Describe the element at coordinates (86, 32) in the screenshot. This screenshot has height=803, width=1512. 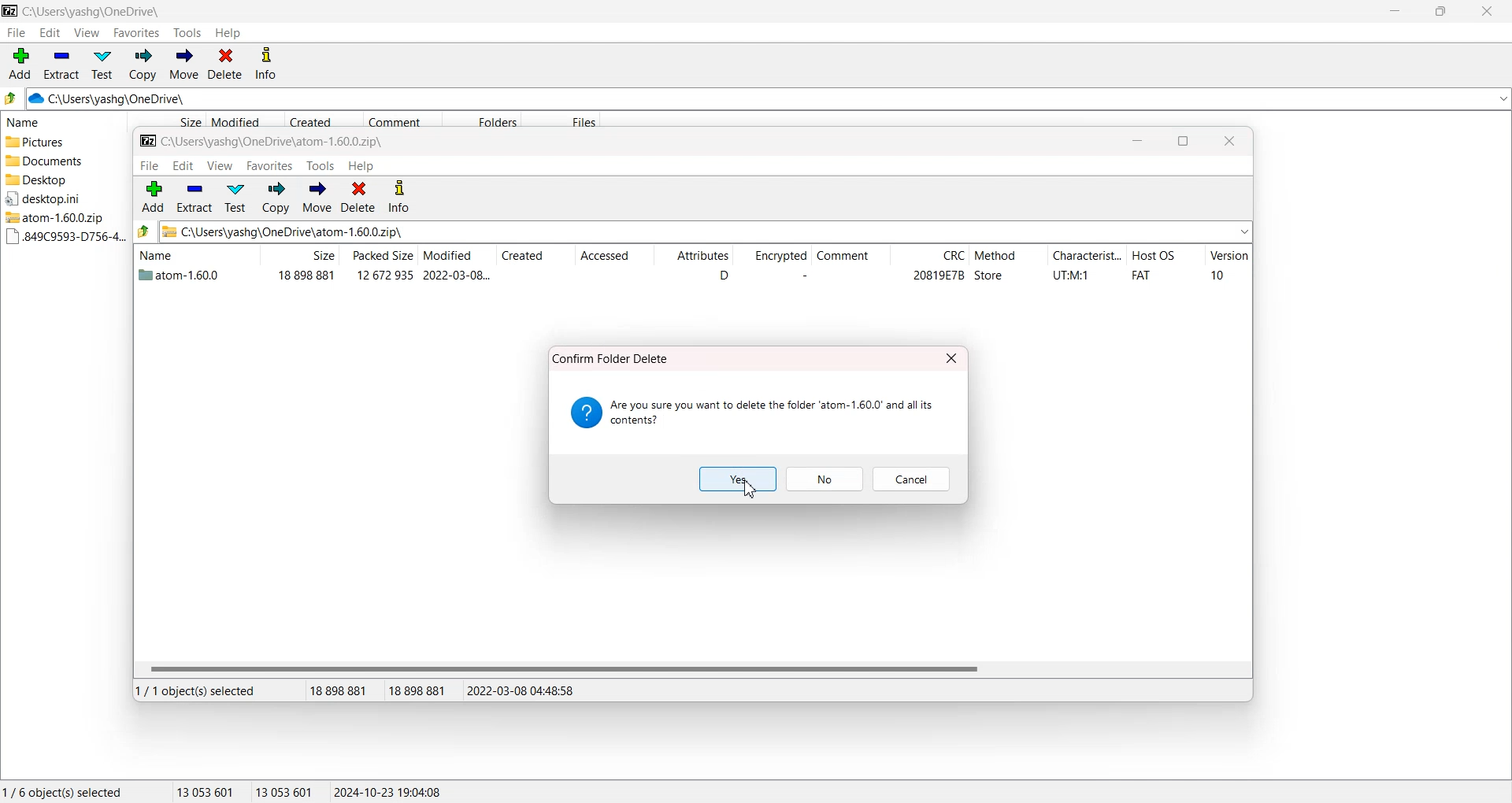
I see `View` at that location.